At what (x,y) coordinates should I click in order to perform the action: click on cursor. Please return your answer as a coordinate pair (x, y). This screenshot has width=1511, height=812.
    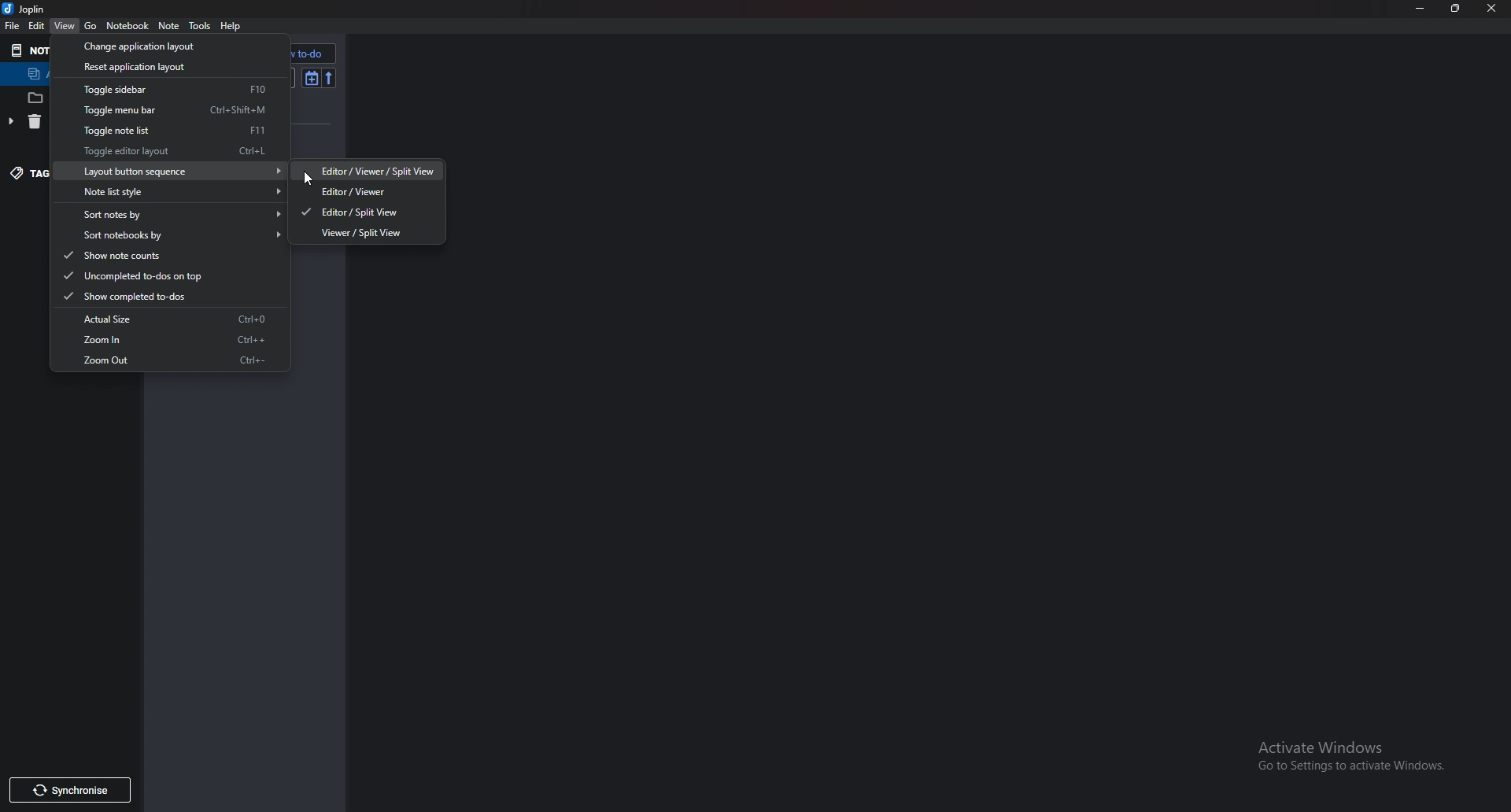
    Looking at the image, I should click on (308, 176).